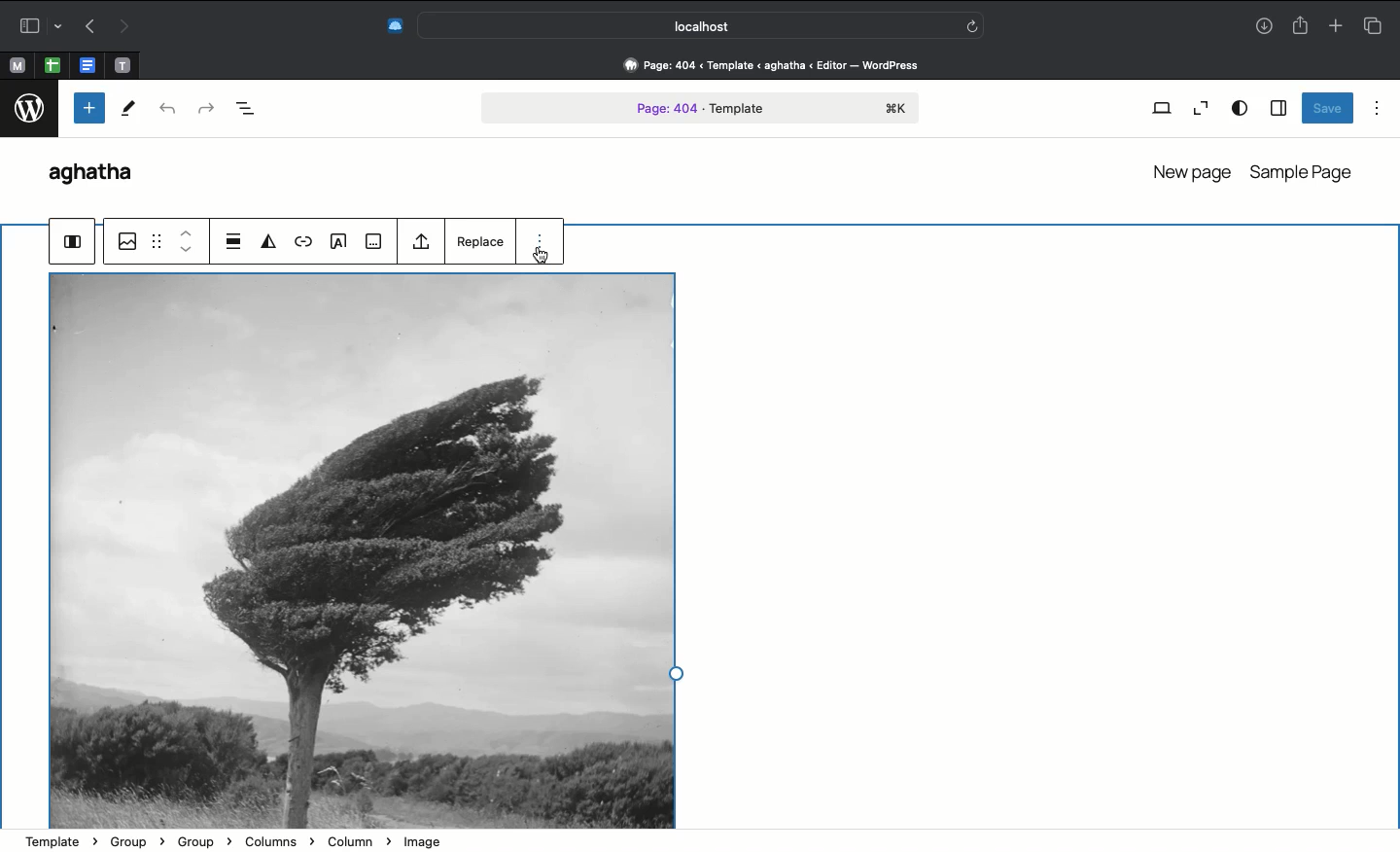  What do you see at coordinates (1328, 108) in the screenshot?
I see `Save` at bounding box center [1328, 108].